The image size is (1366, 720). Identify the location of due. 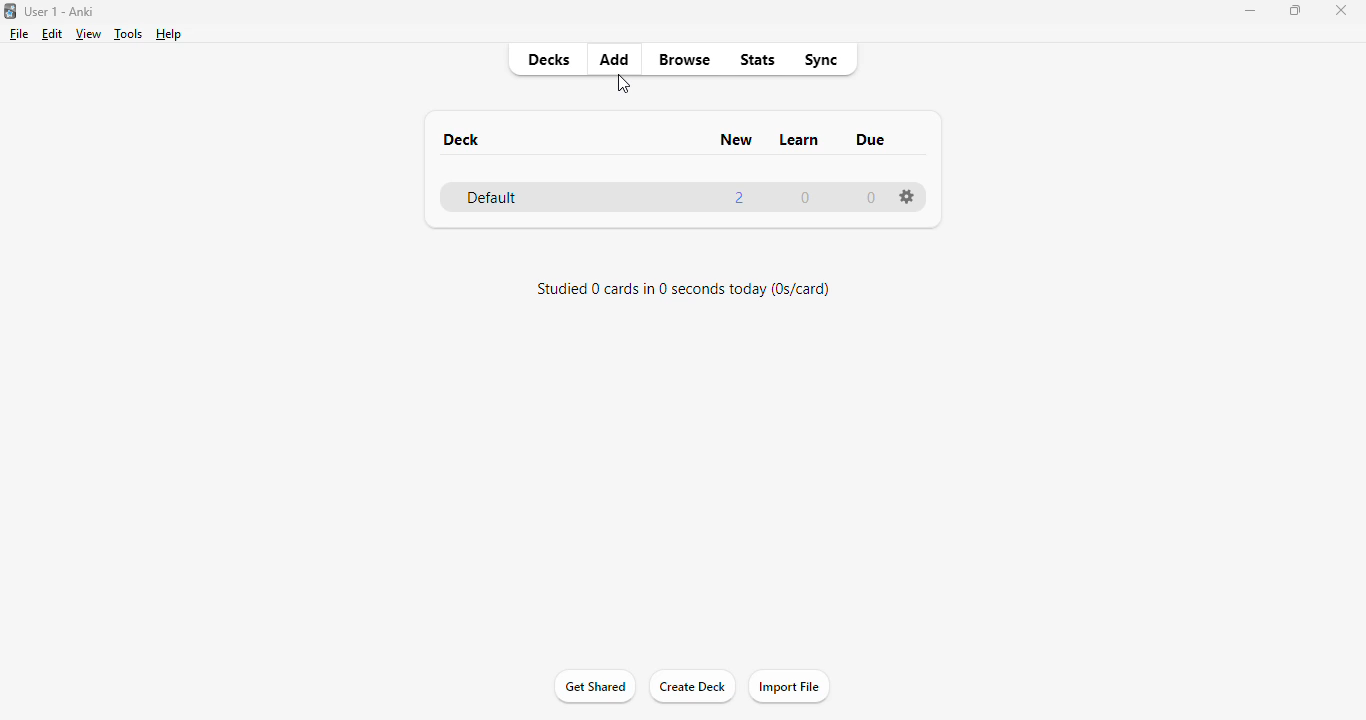
(870, 140).